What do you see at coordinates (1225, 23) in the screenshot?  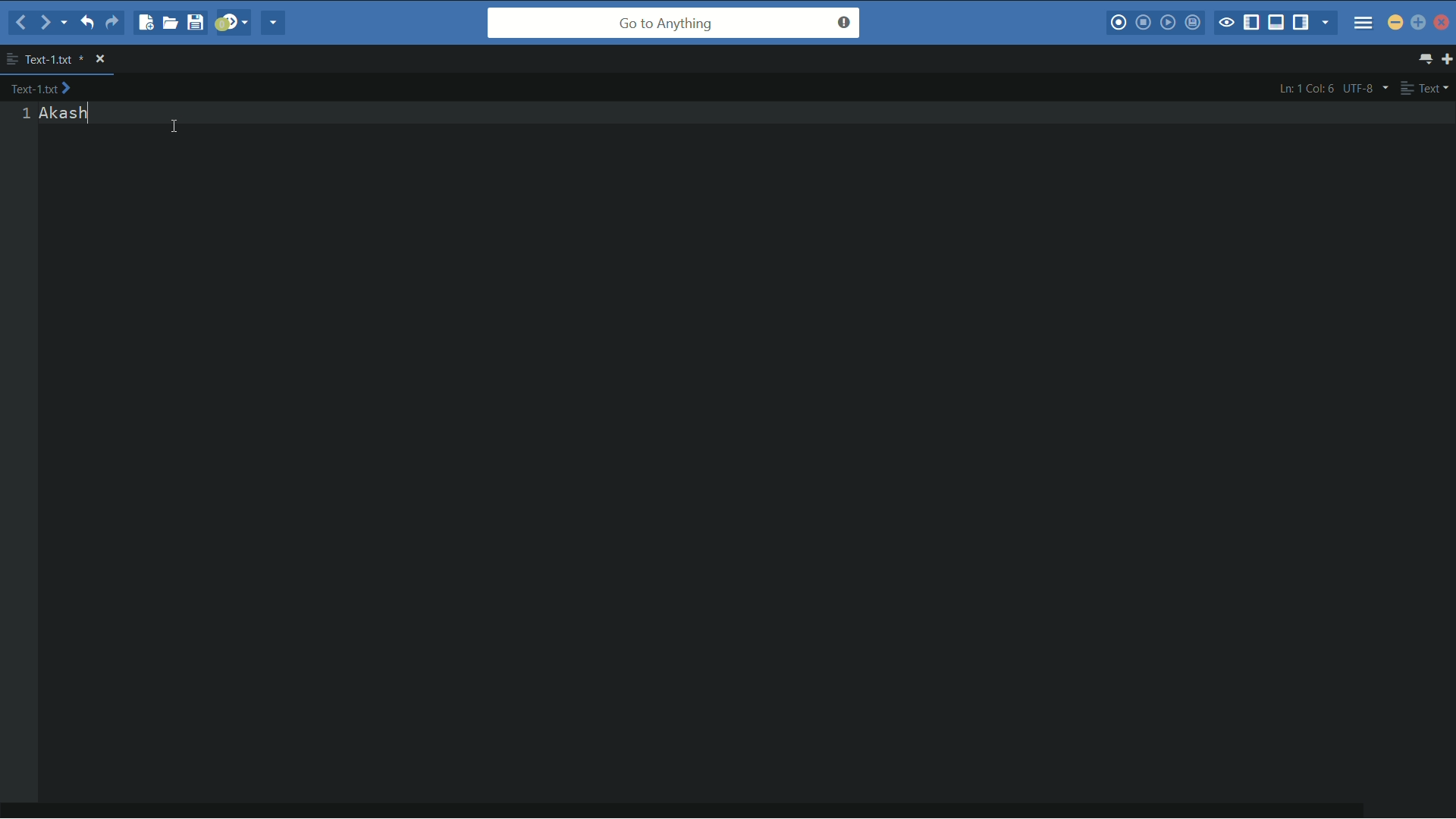 I see `toggle focus mode ` at bounding box center [1225, 23].